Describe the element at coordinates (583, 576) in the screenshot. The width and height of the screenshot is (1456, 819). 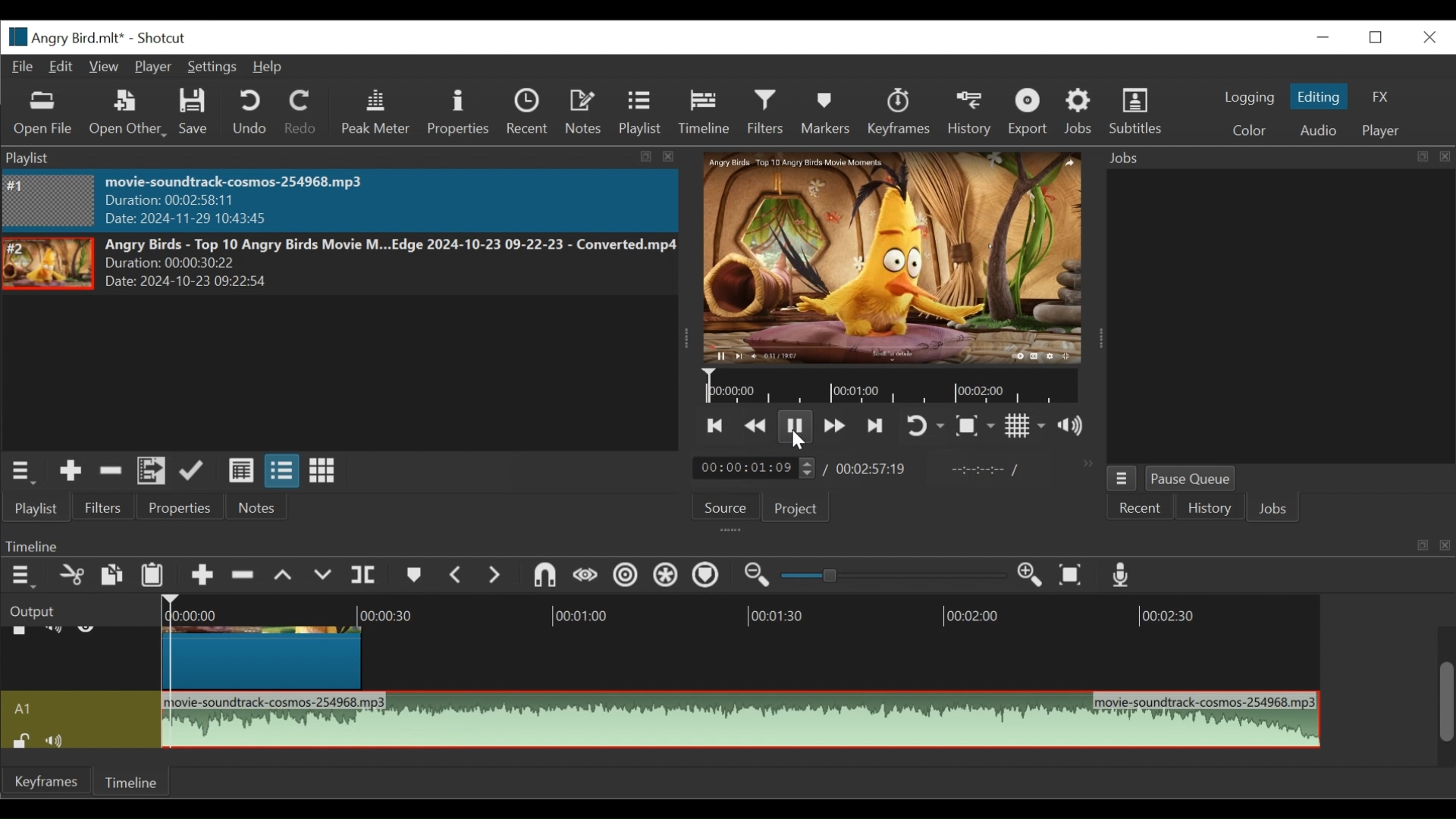
I see `Scrub while dragging` at that location.